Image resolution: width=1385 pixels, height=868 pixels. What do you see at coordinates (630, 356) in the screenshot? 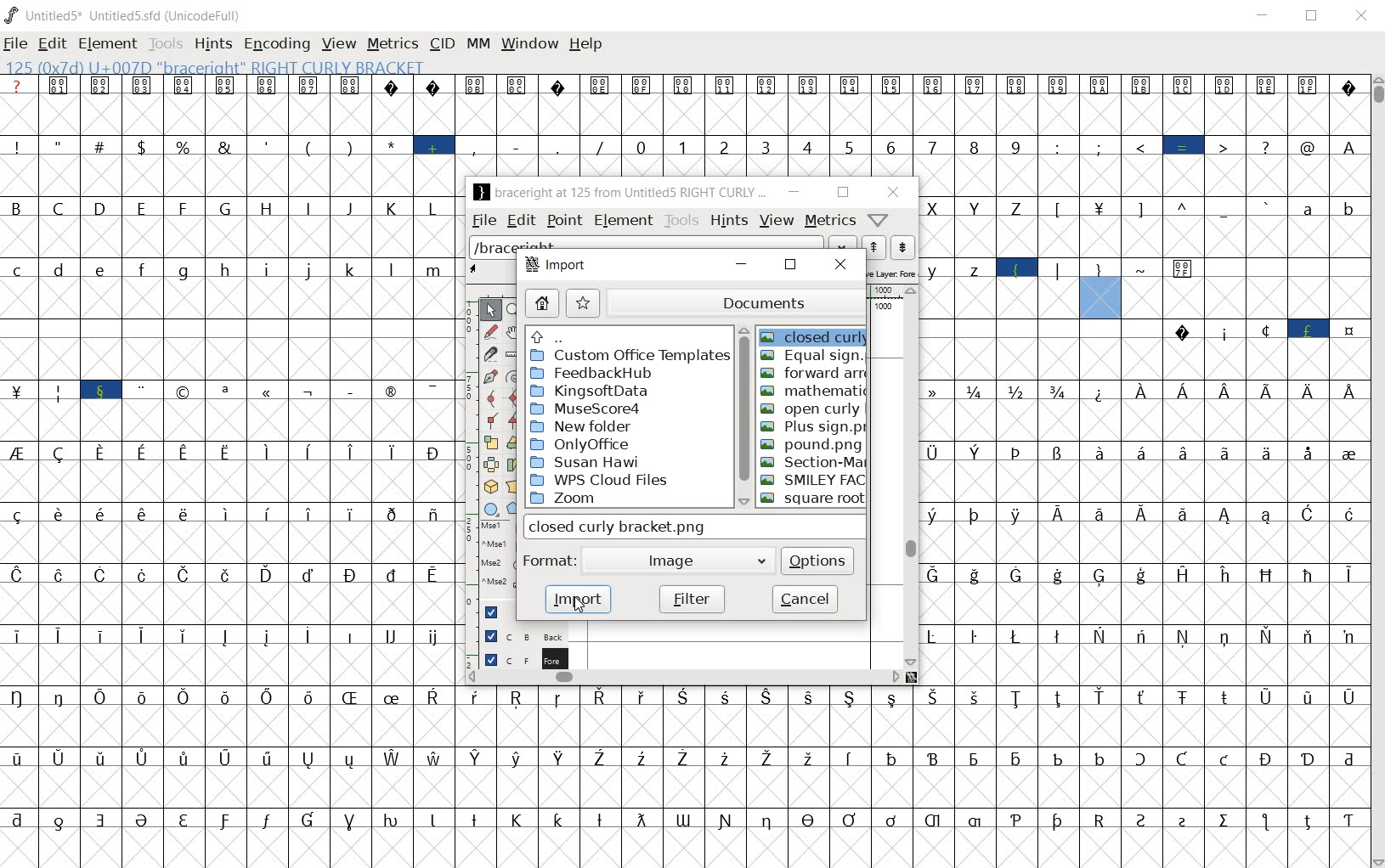
I see `Custom Office Template` at bounding box center [630, 356].